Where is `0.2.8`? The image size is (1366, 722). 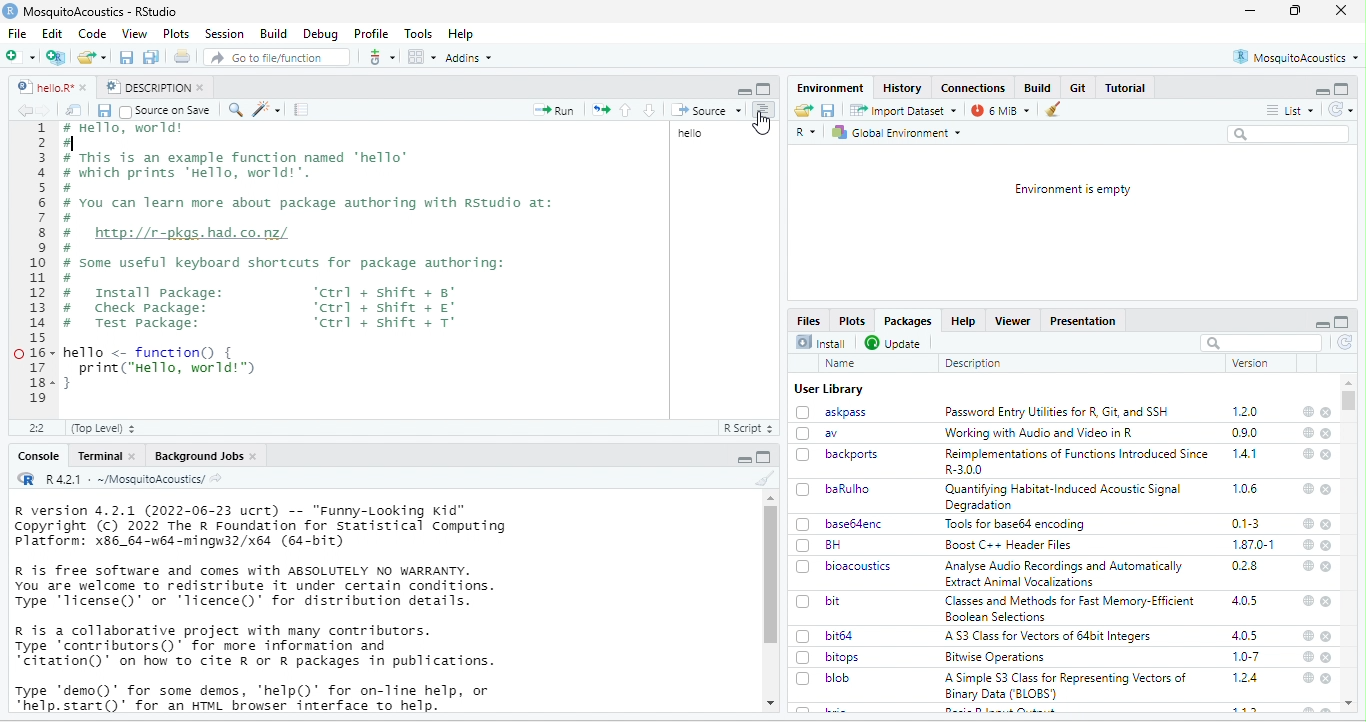
0.2.8 is located at coordinates (1246, 567).